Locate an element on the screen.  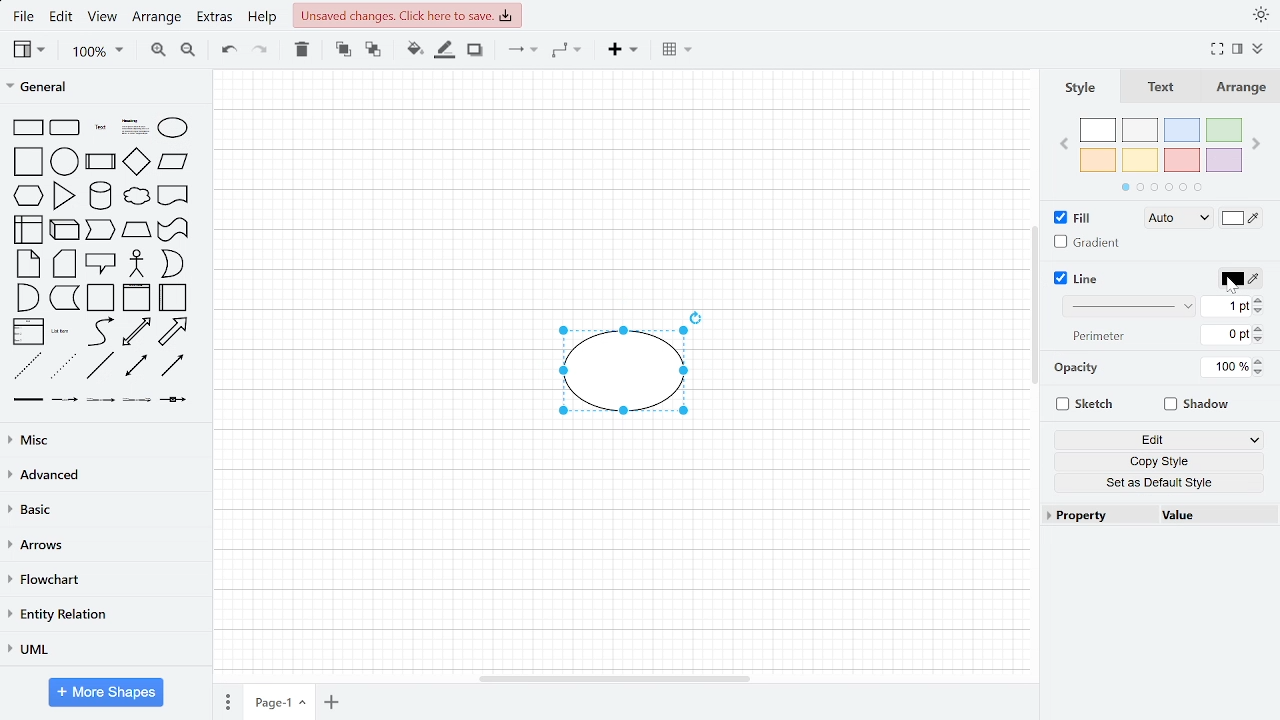
link is located at coordinates (28, 400).